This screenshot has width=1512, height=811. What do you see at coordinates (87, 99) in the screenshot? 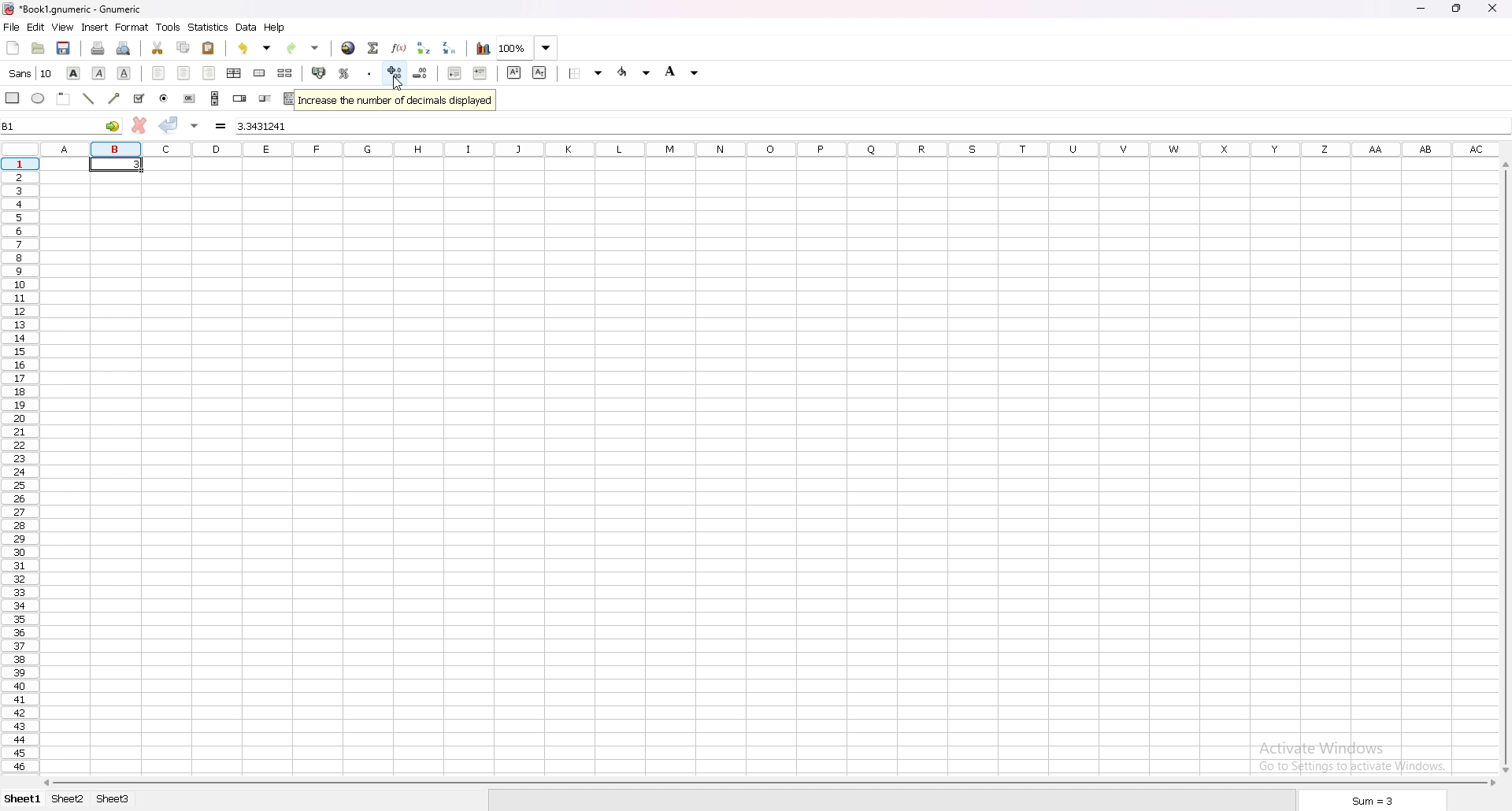
I see `line` at bounding box center [87, 99].